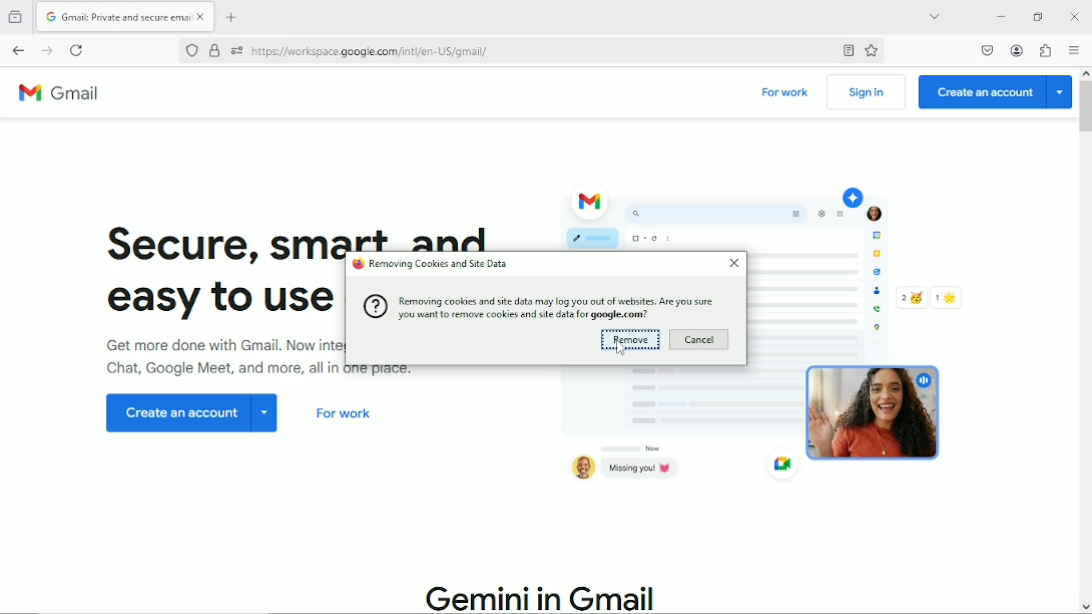  I want to click on Go forward, so click(47, 51).